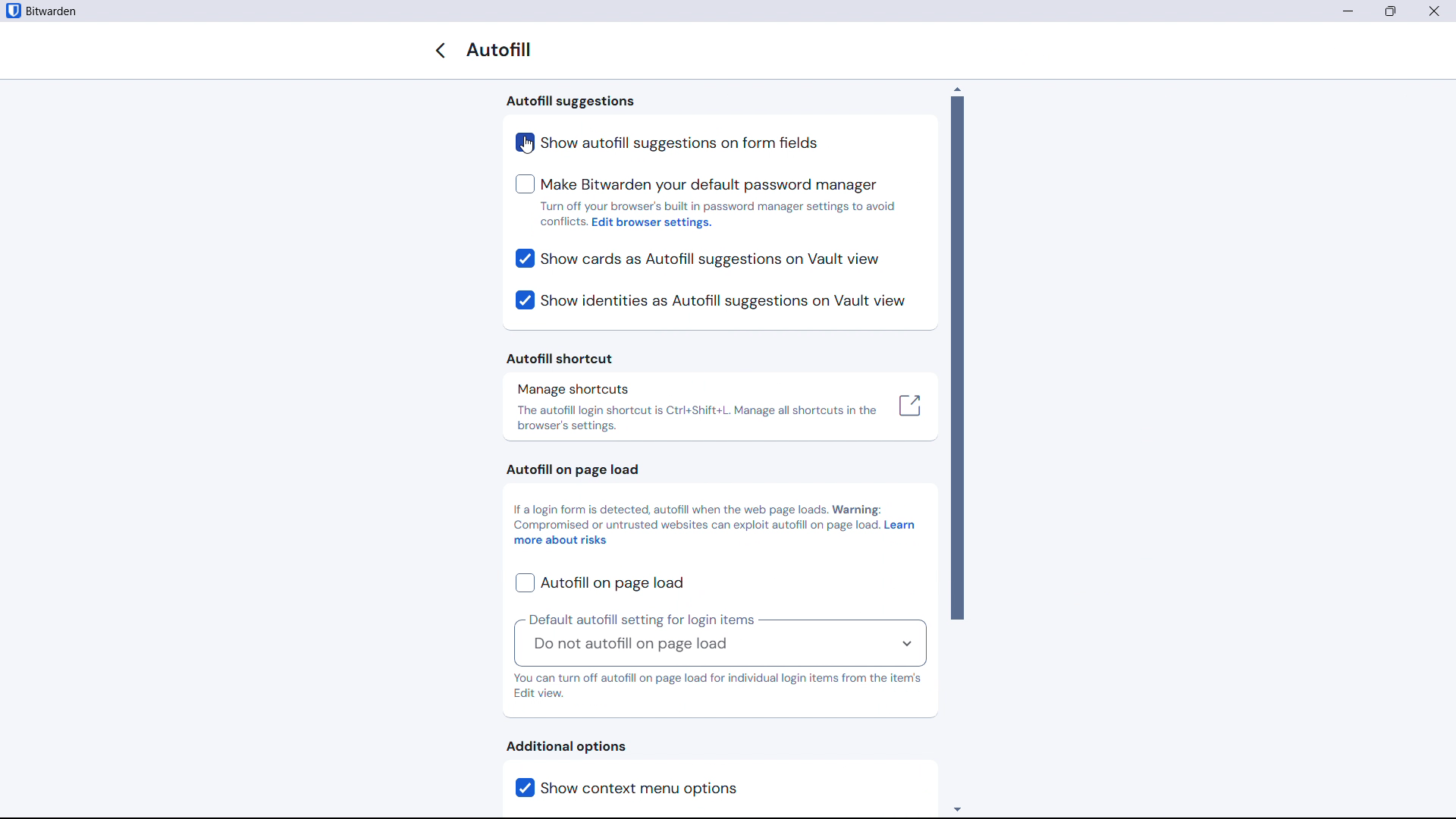  What do you see at coordinates (561, 358) in the screenshot?
I see `Autofill shortcut` at bounding box center [561, 358].